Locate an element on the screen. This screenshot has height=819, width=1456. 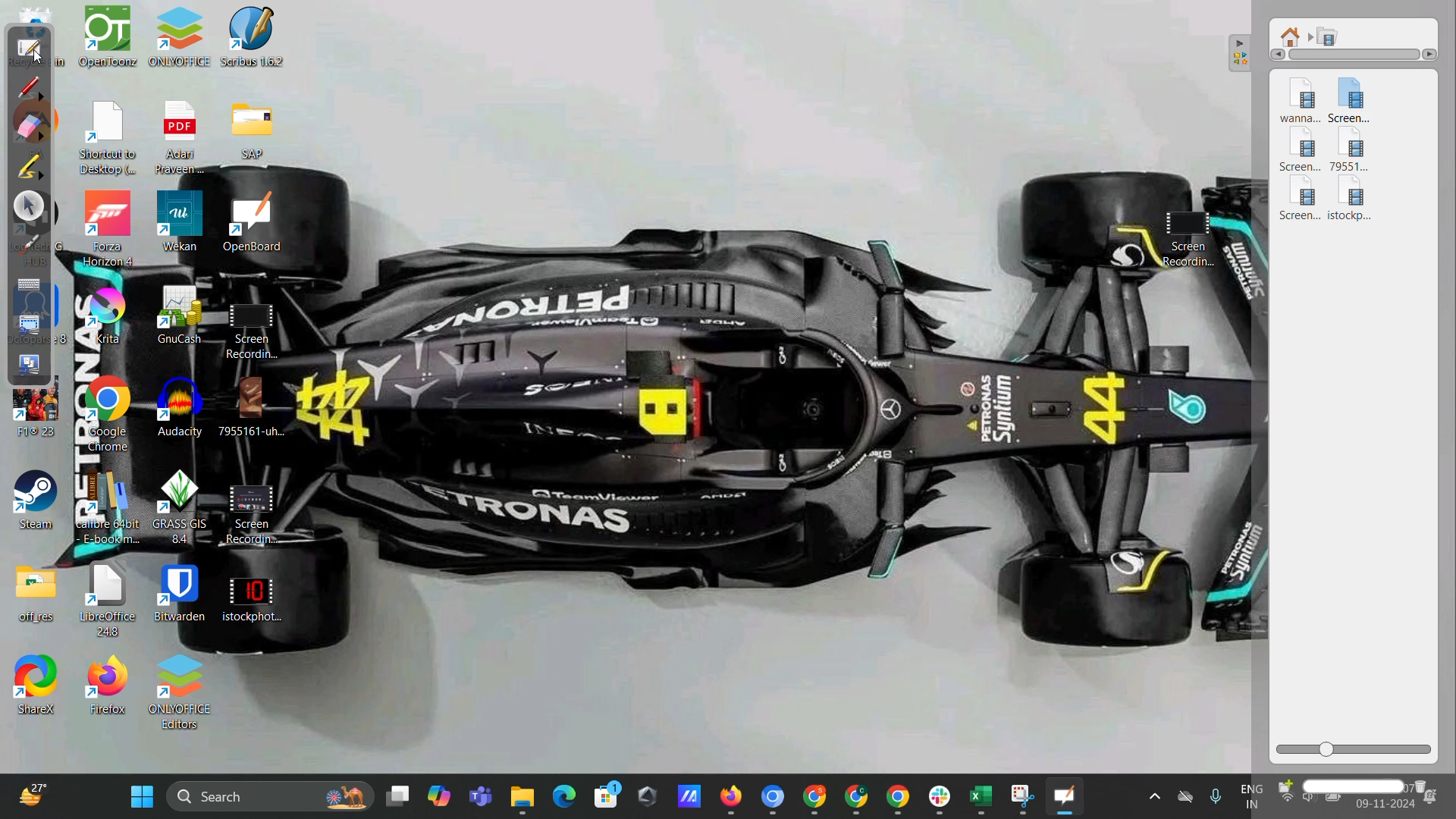
annotate document is located at coordinates (33, 86).